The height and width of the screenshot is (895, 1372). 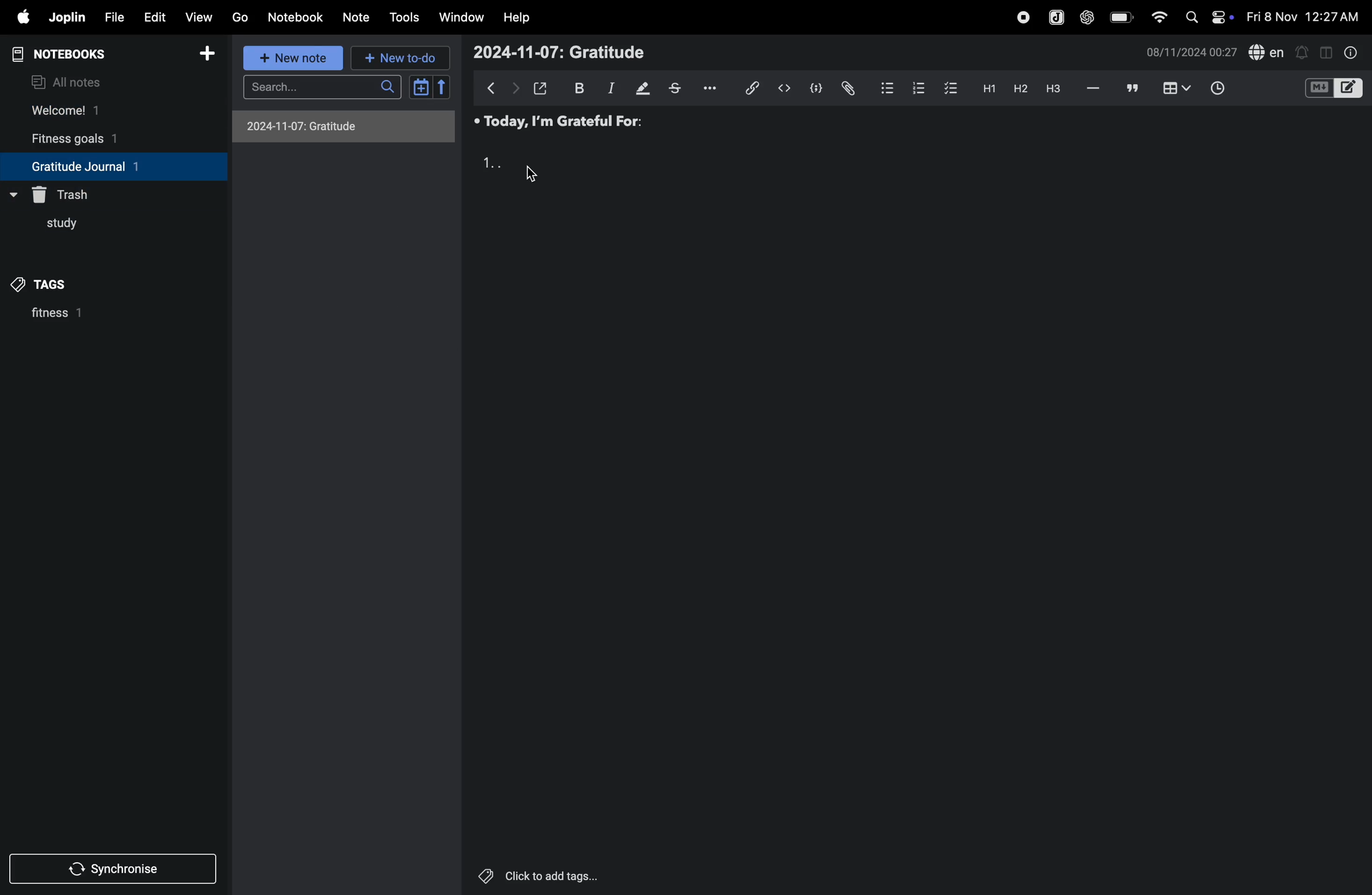 I want to click on add notebook, so click(x=202, y=54).